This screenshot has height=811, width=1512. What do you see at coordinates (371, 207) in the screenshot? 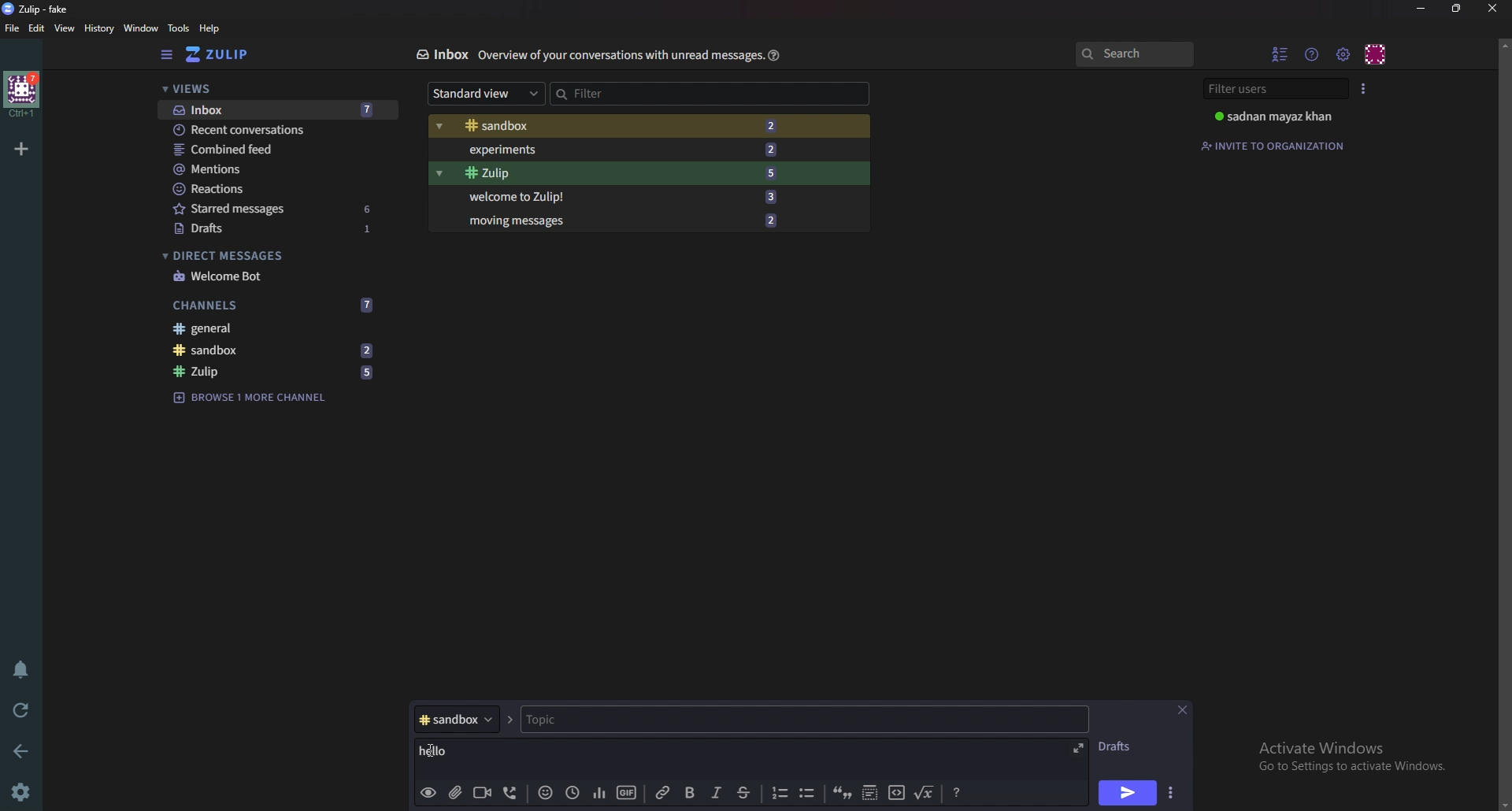
I see `6` at bounding box center [371, 207].